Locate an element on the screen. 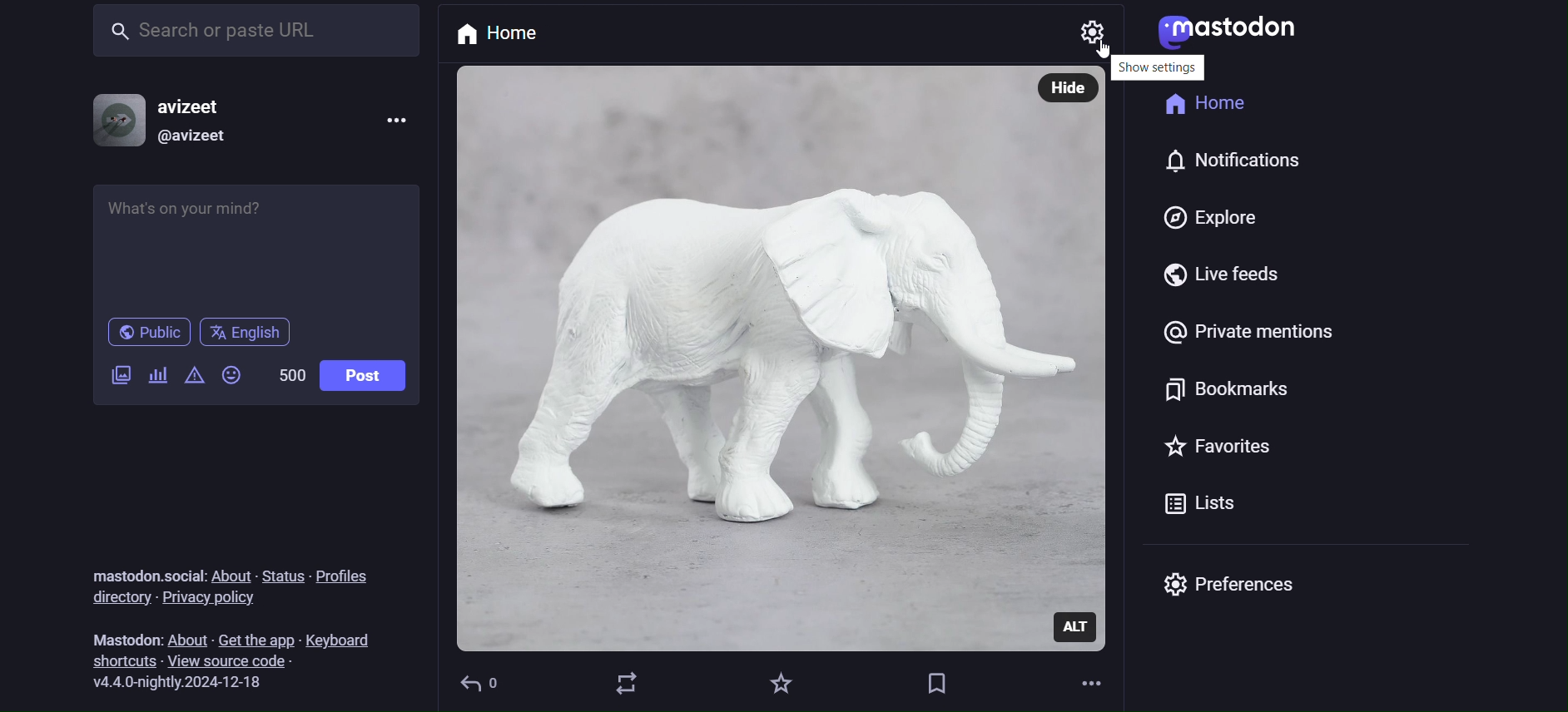  more is located at coordinates (1092, 681).